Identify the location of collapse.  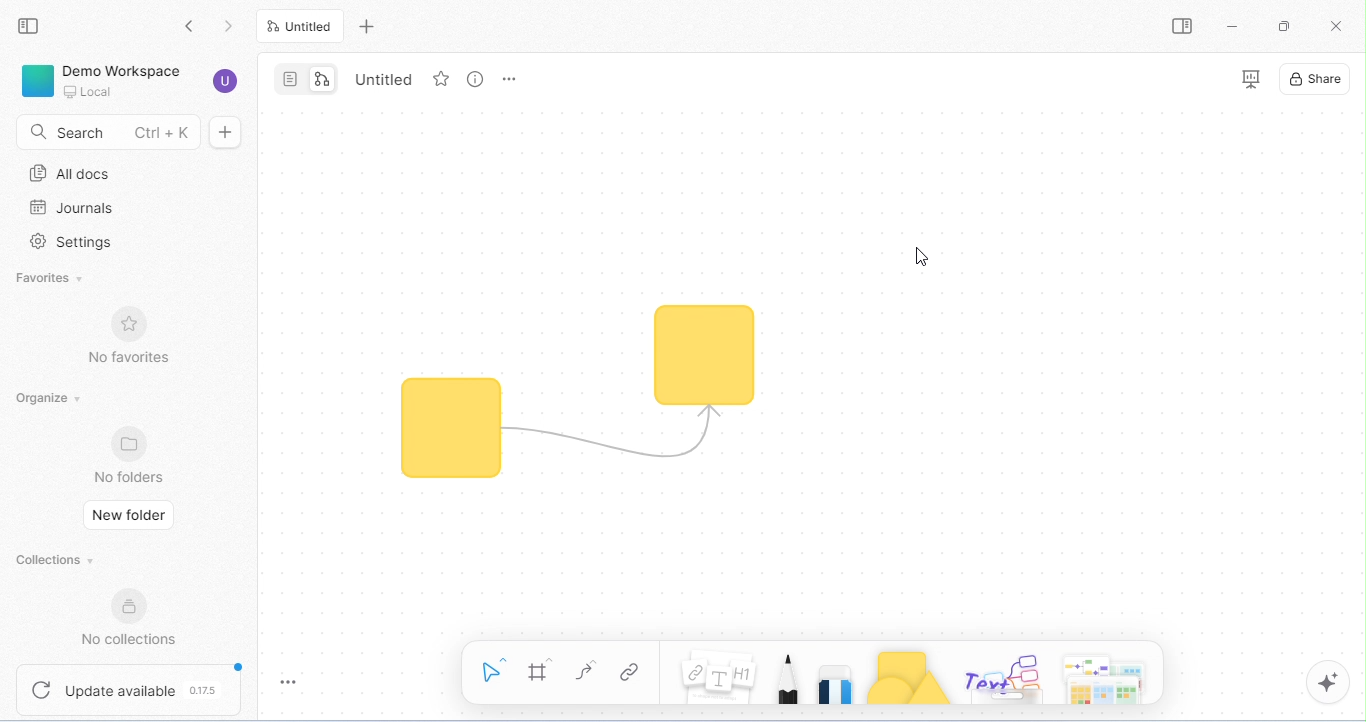
(29, 26).